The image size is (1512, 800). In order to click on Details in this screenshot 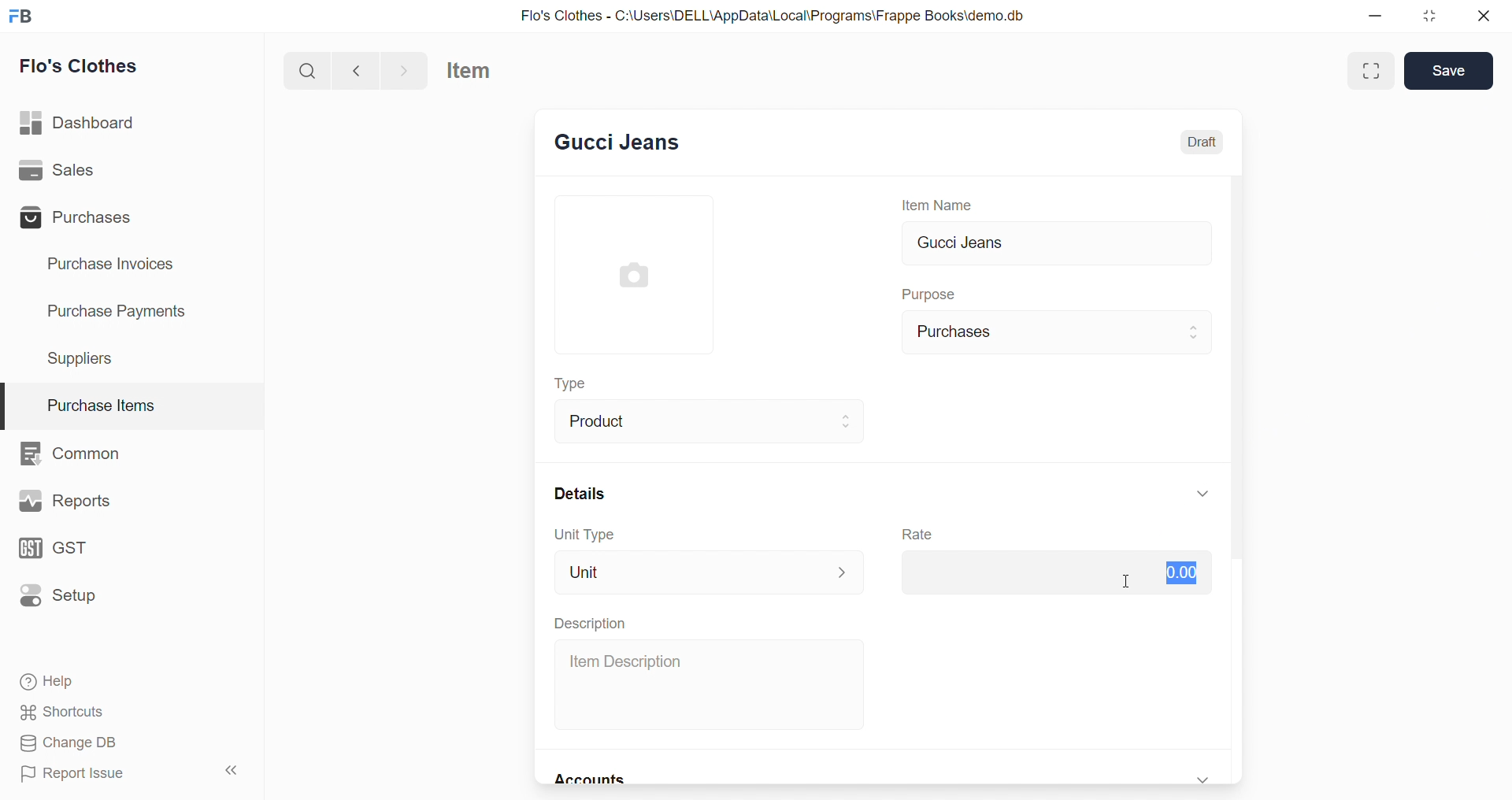, I will do `click(576, 493)`.